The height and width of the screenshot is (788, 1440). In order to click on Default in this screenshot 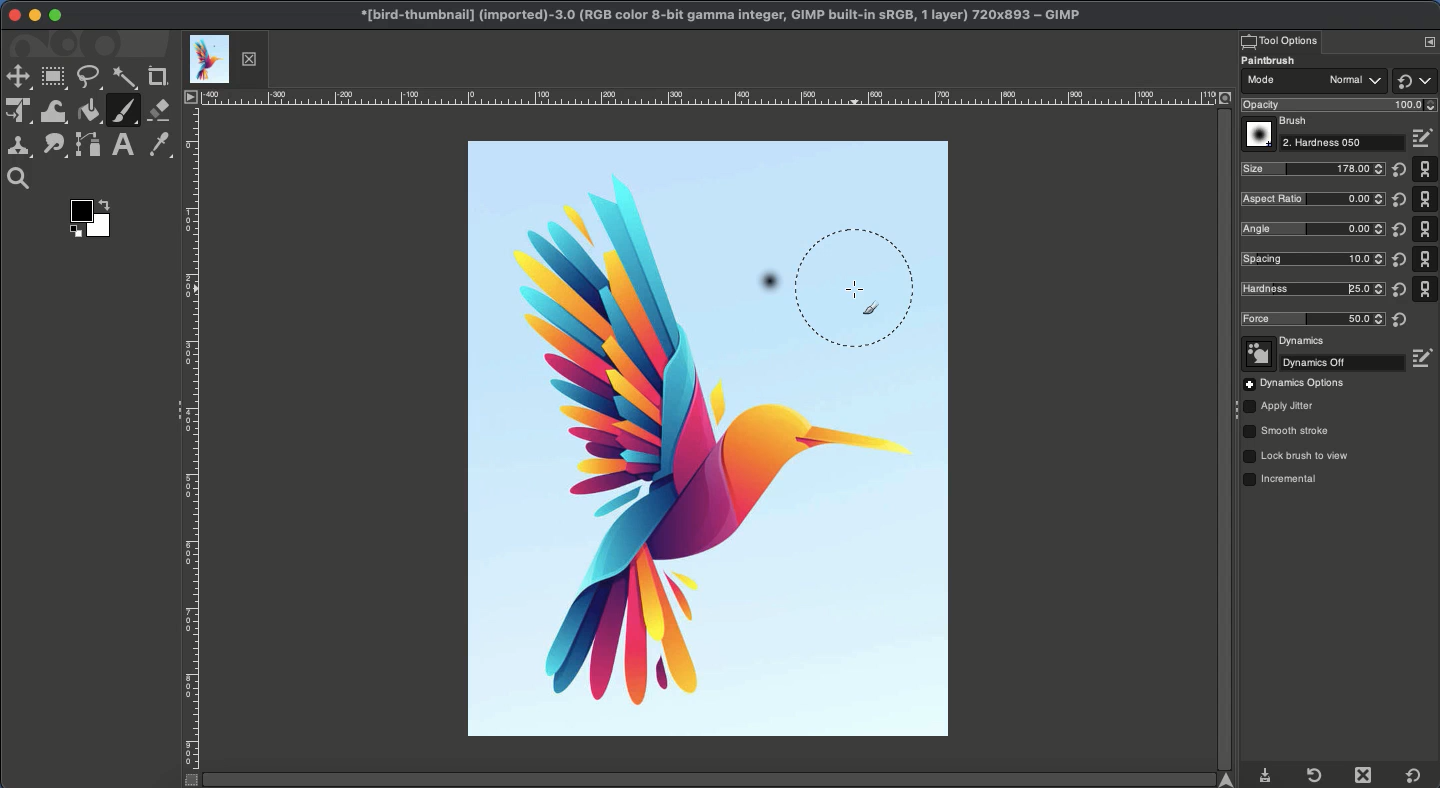, I will do `click(1414, 776)`.